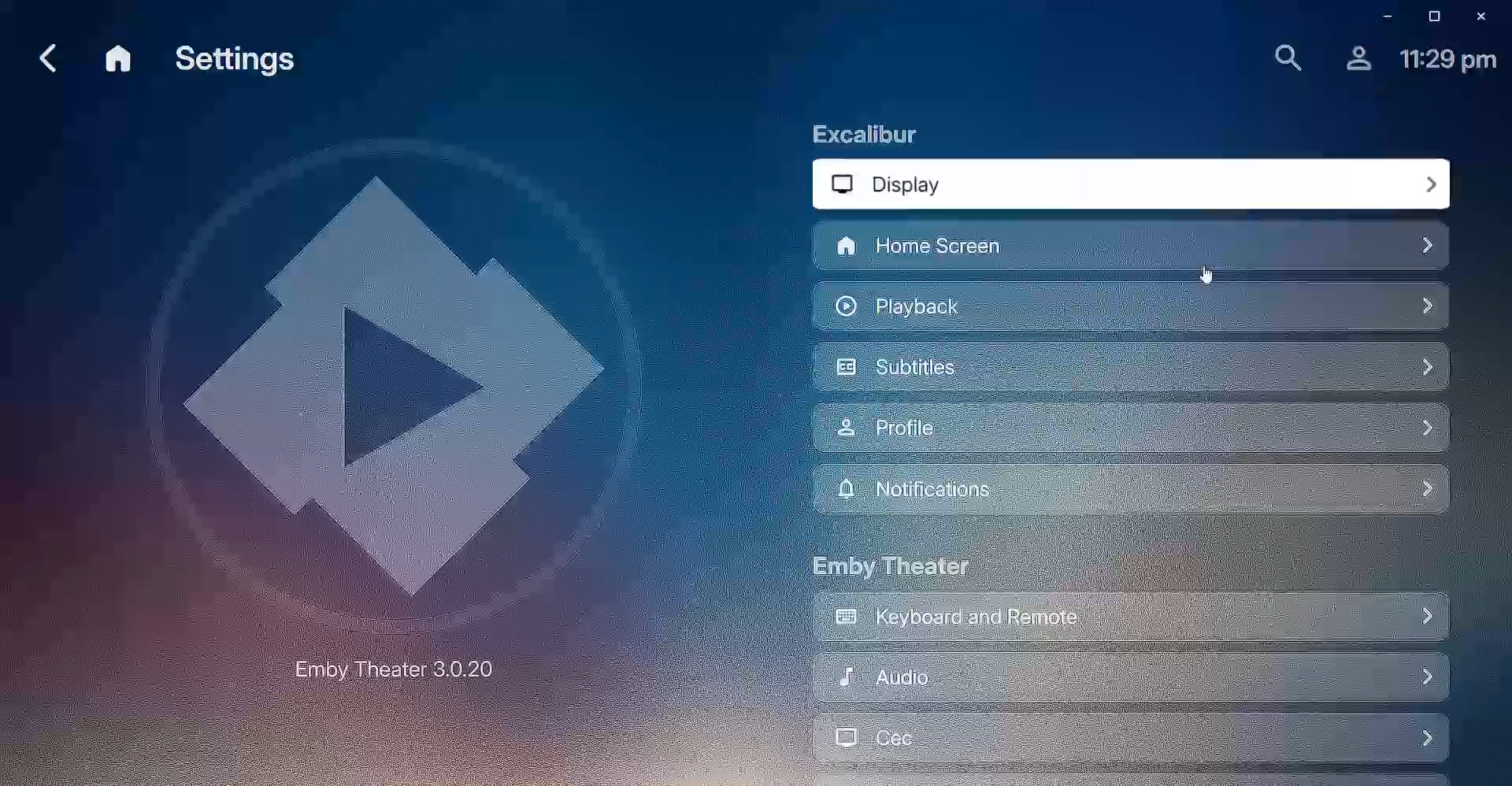 The height and width of the screenshot is (786, 1512). Describe the element at coordinates (1280, 58) in the screenshot. I see `Find` at that location.